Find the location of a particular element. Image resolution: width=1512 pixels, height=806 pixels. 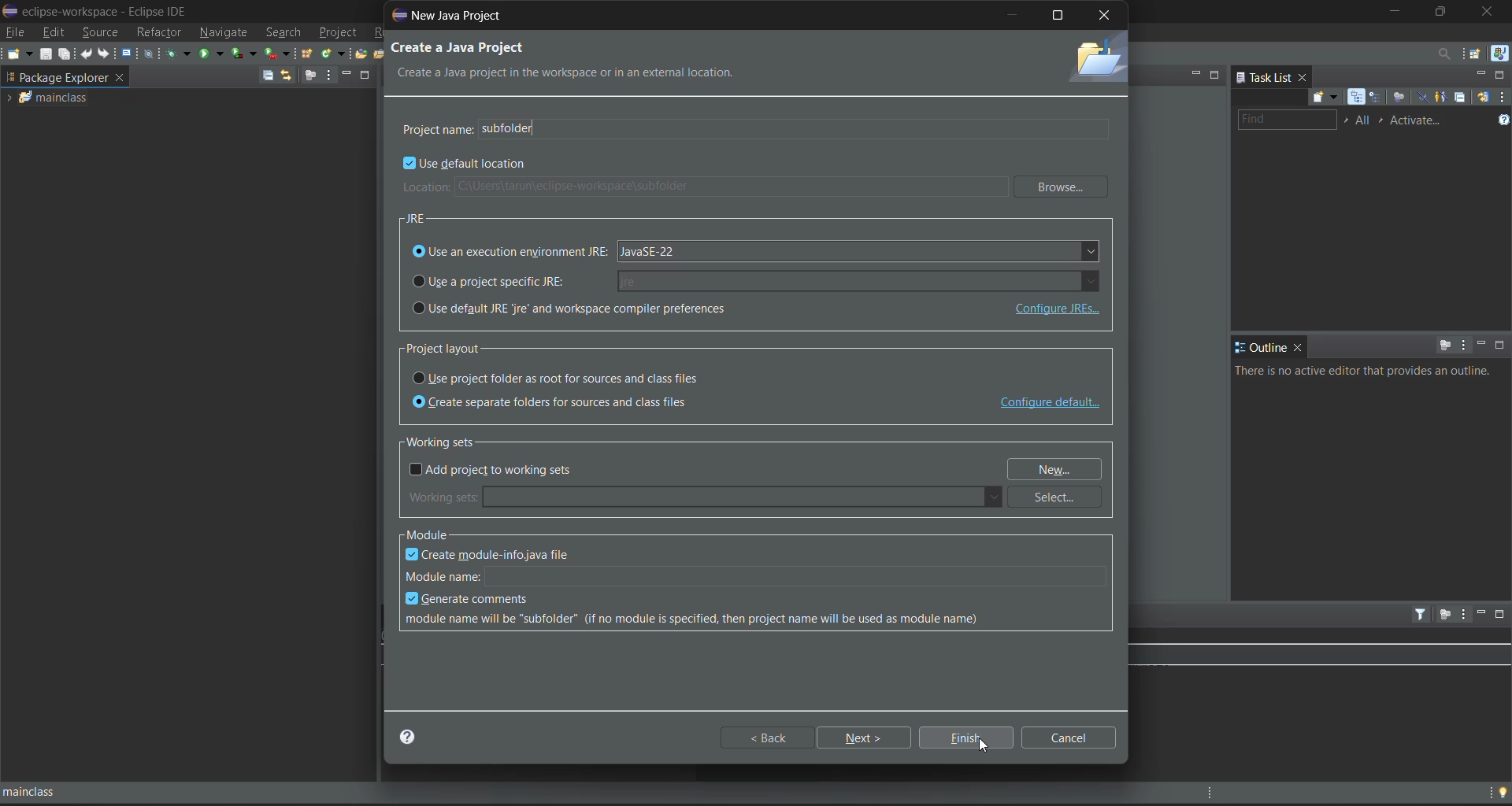

maximize is located at coordinates (1503, 76).